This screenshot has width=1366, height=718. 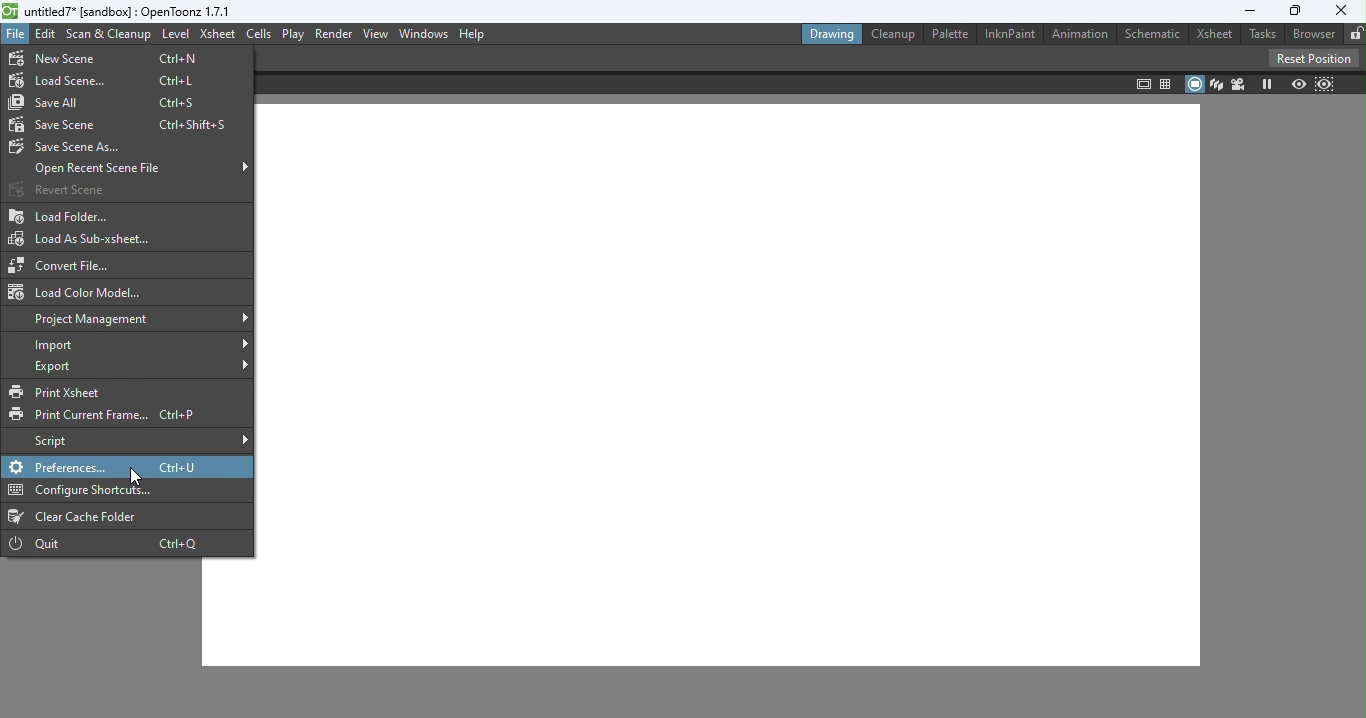 I want to click on Save scene, so click(x=123, y=124).